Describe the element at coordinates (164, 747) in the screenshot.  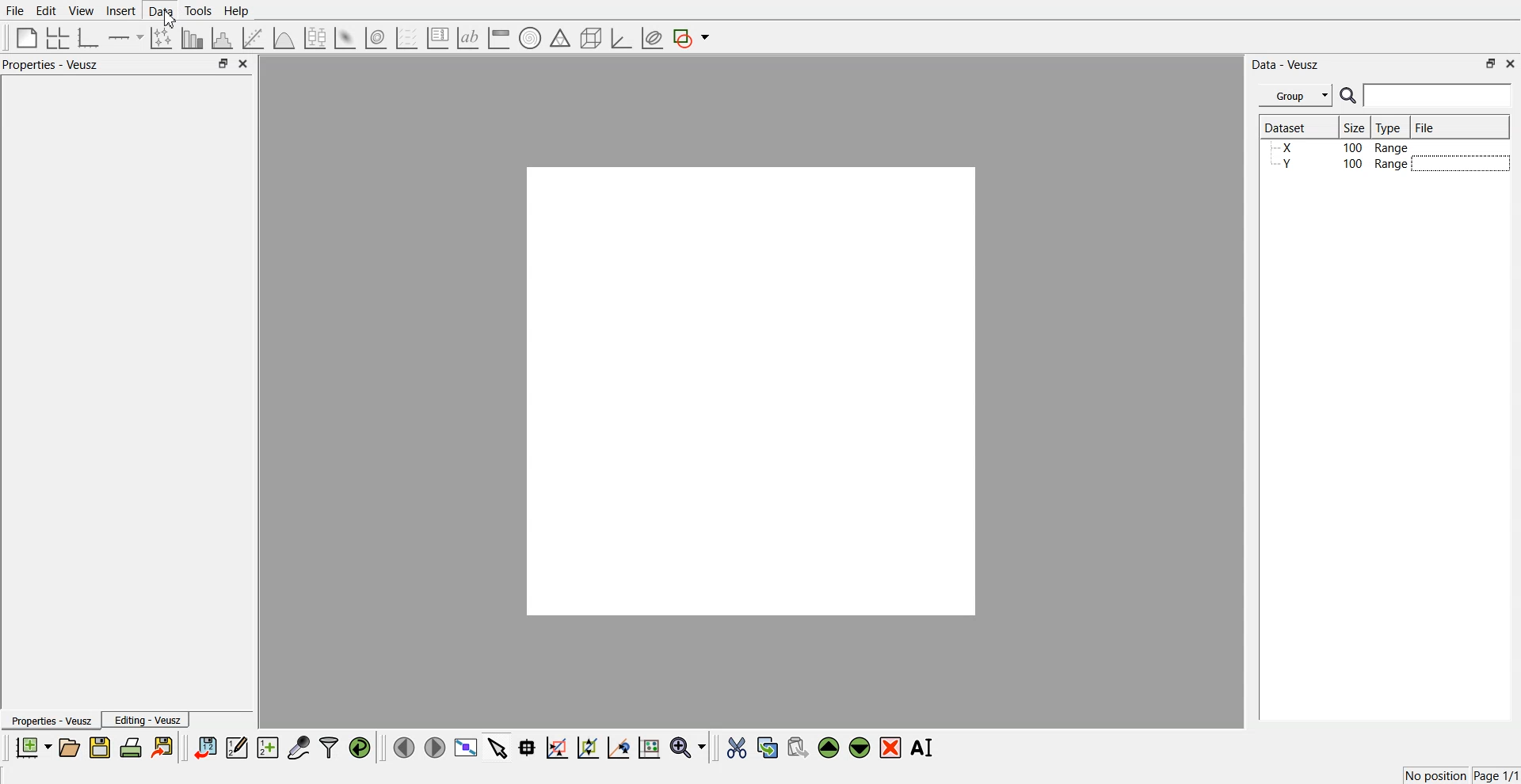
I see `Export to graphic format` at that location.